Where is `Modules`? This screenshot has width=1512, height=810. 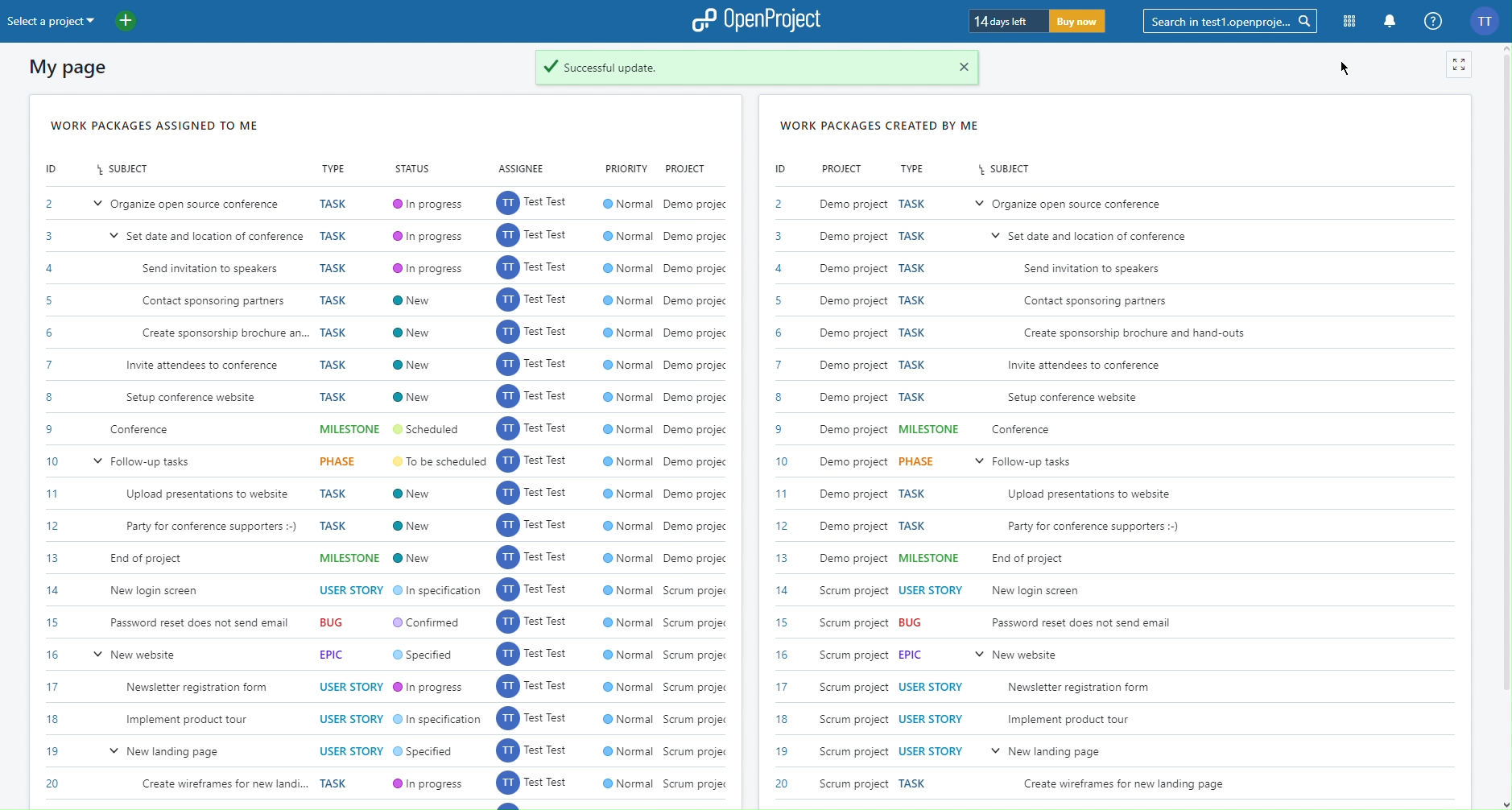 Modules is located at coordinates (1350, 21).